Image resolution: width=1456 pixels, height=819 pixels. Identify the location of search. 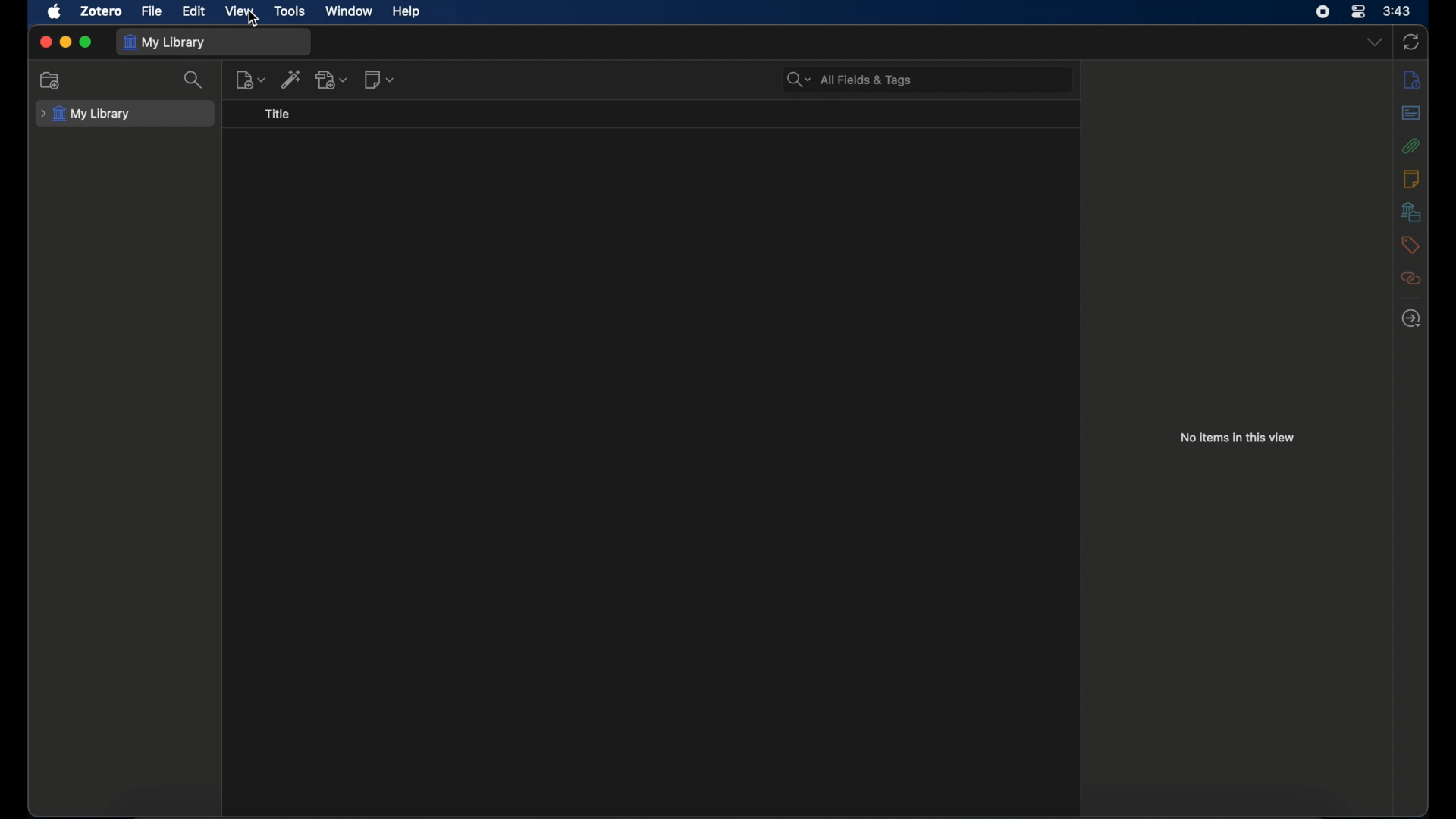
(196, 80).